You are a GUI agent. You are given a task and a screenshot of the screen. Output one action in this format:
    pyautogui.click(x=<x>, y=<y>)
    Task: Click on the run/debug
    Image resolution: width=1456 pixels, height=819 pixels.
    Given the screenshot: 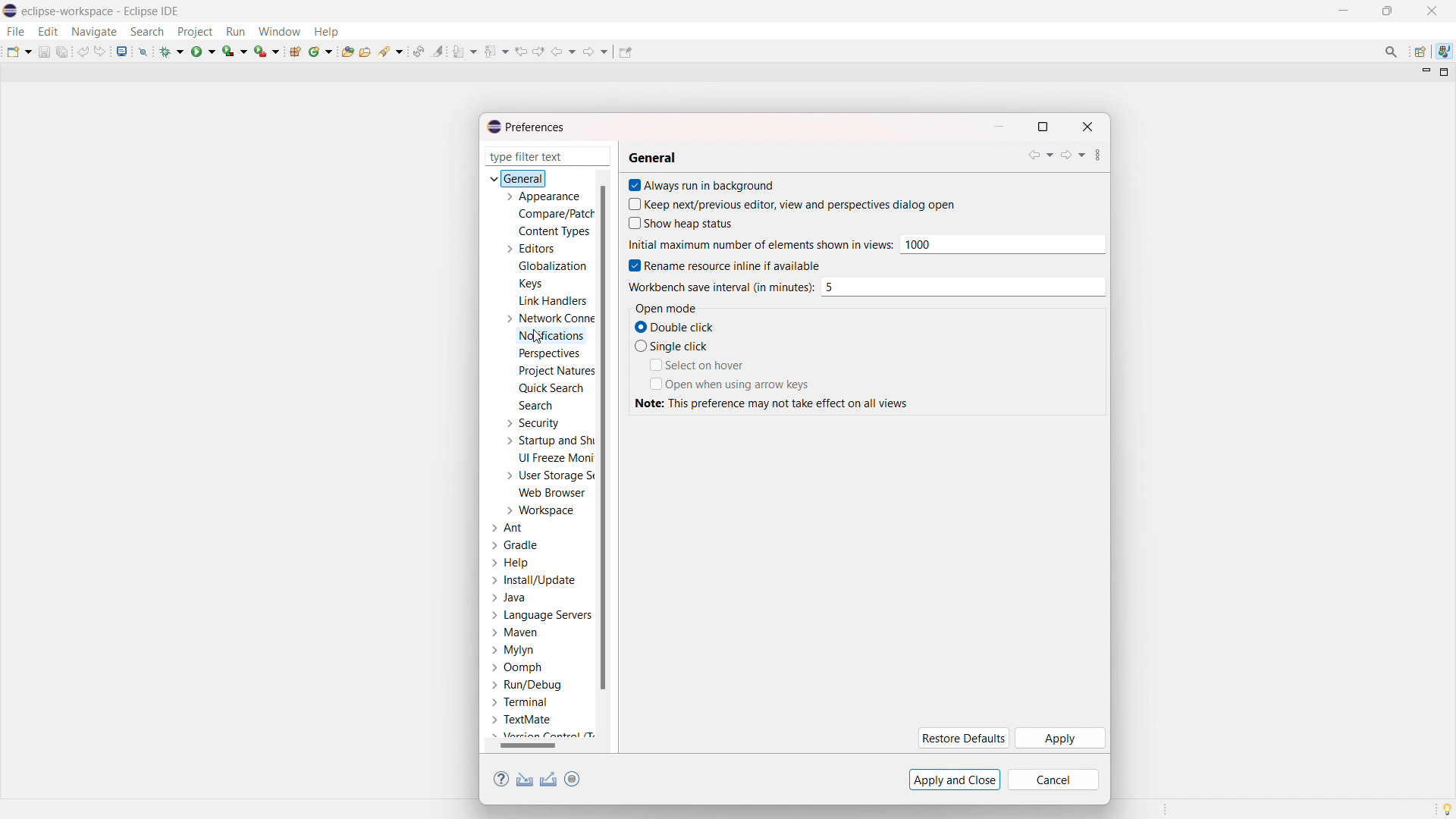 What is the action you would take?
    pyautogui.click(x=526, y=684)
    